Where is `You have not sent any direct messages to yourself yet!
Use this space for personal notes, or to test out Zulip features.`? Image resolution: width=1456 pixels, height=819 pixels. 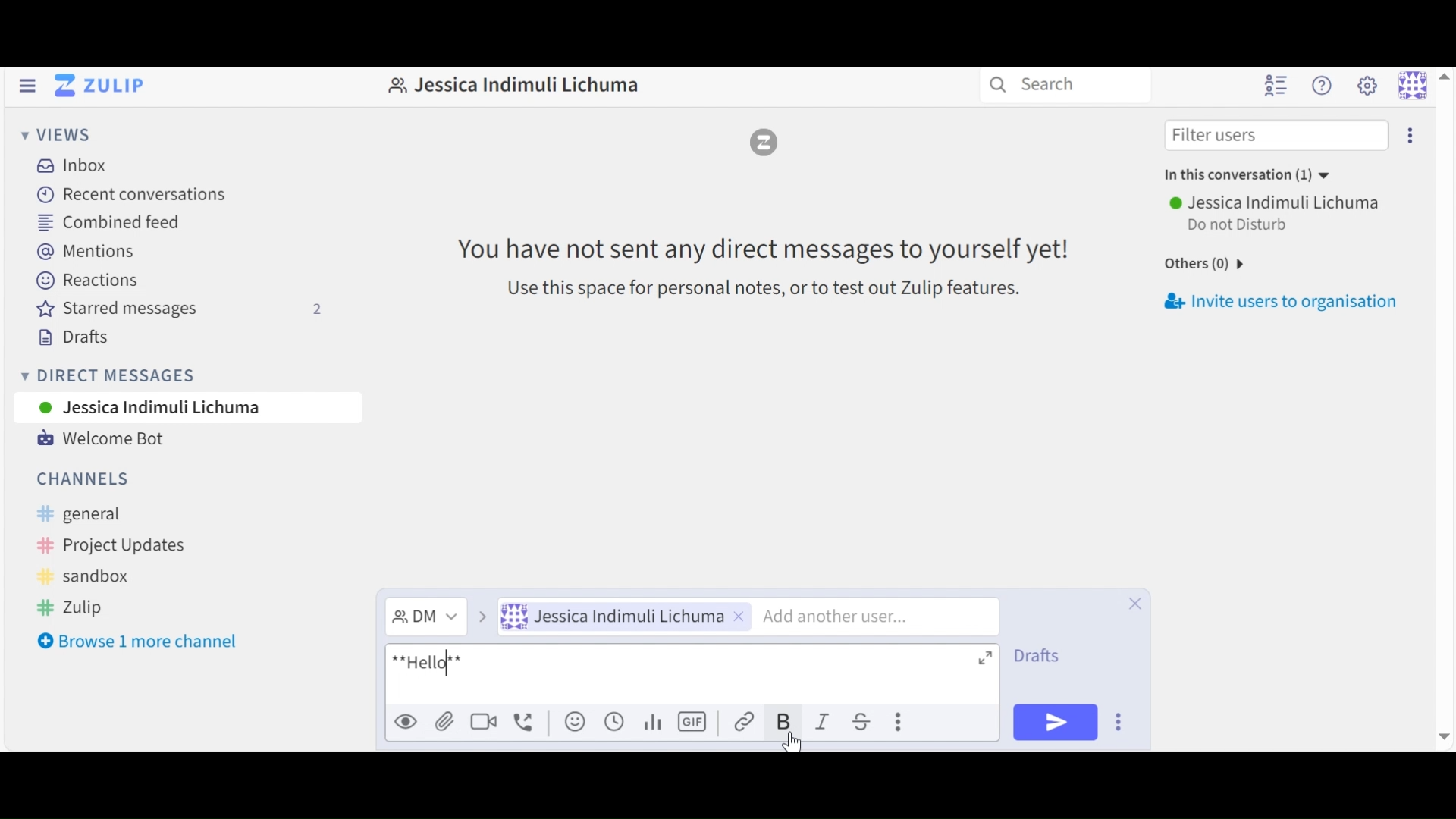
You have not sent any direct messages to yourself yet!
Use this space for personal notes, or to test out Zulip features. is located at coordinates (755, 265).